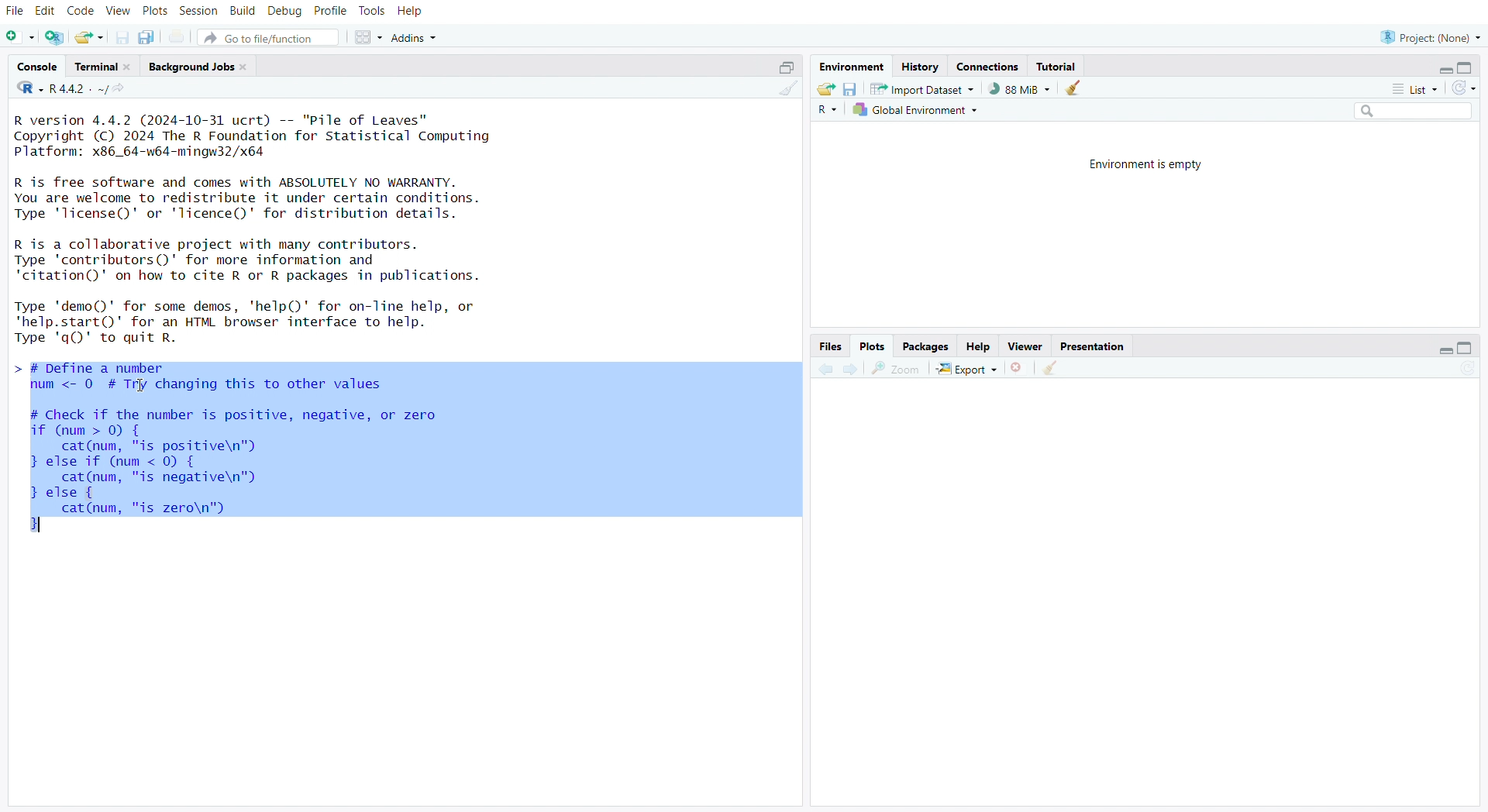 The height and width of the screenshot is (812, 1488). What do you see at coordinates (782, 67) in the screenshot?
I see `expand` at bounding box center [782, 67].